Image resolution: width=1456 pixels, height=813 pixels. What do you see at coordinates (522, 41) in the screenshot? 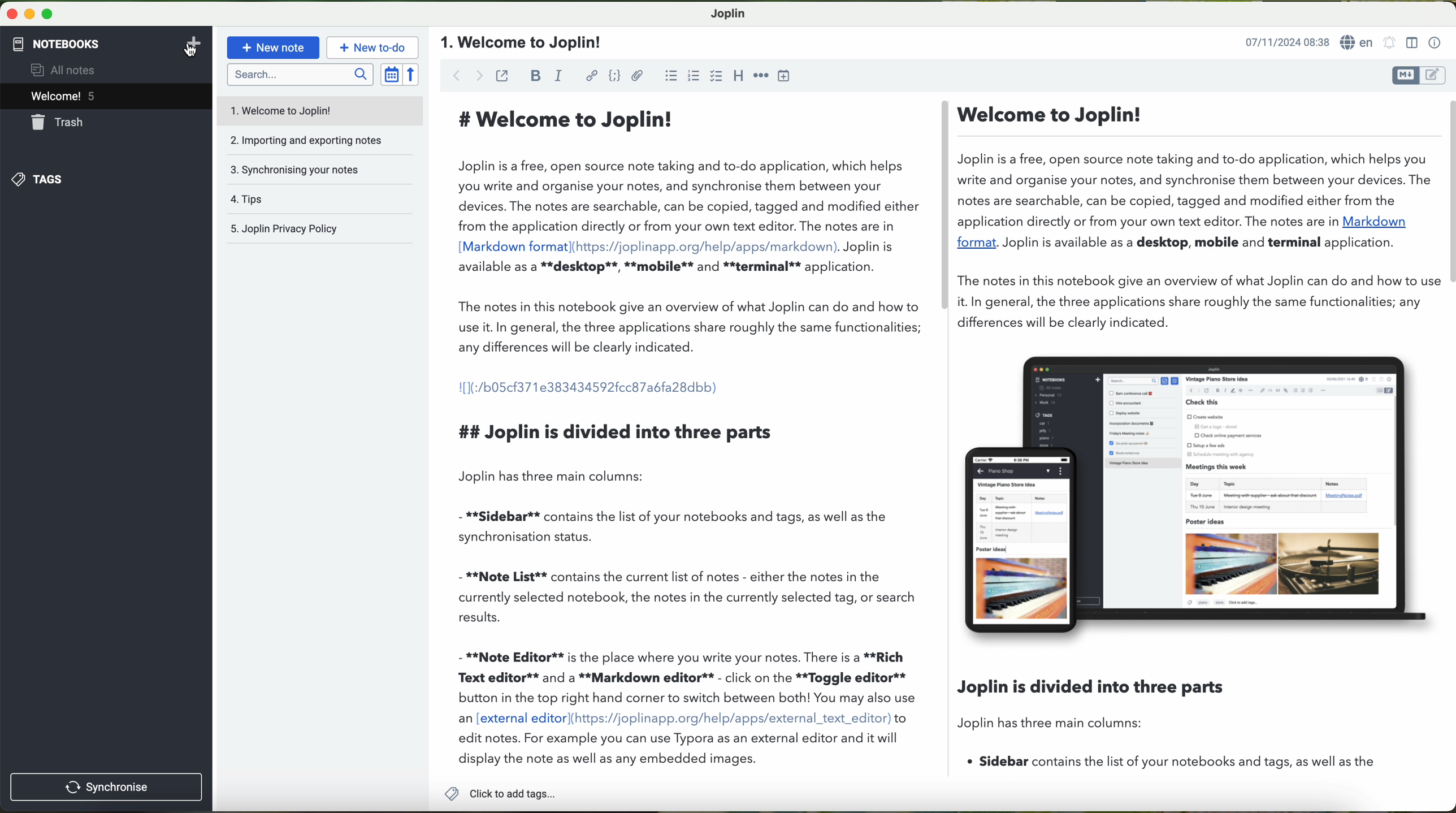
I see `name file` at bounding box center [522, 41].